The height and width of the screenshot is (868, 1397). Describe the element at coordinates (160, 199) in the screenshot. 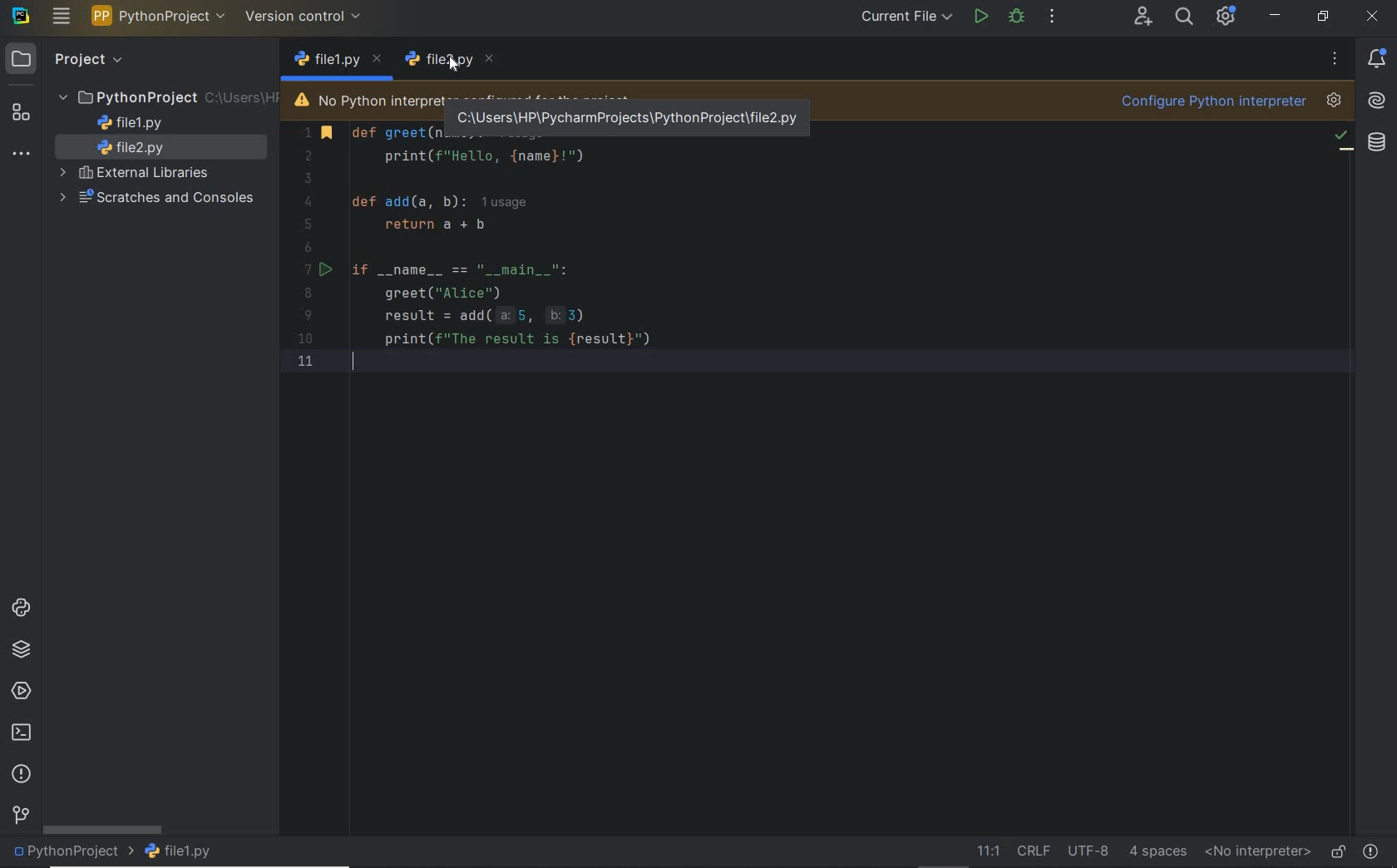

I see `scratches and consoles` at that location.